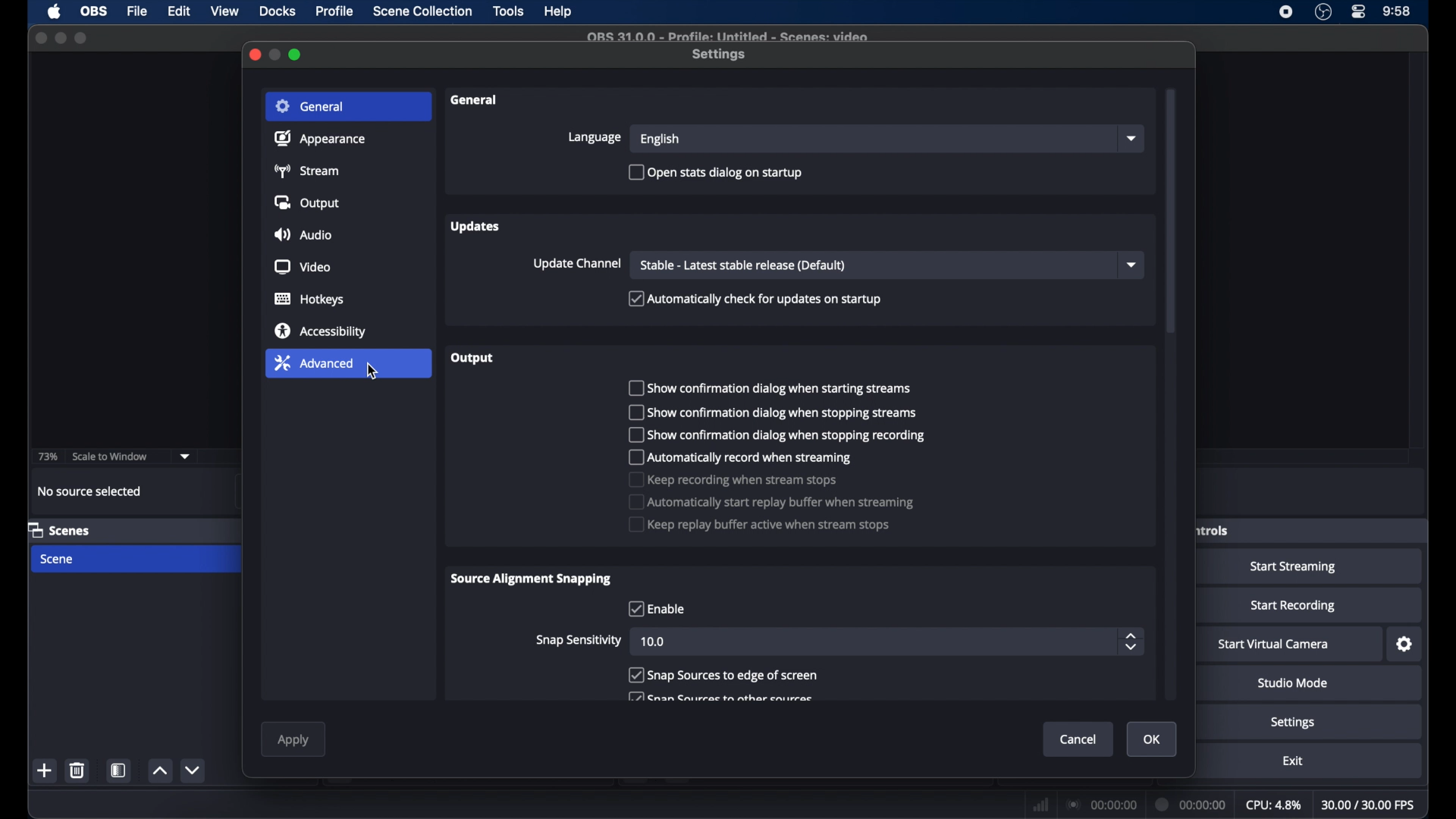  Describe the element at coordinates (1171, 212) in the screenshot. I see `scroll box` at that location.